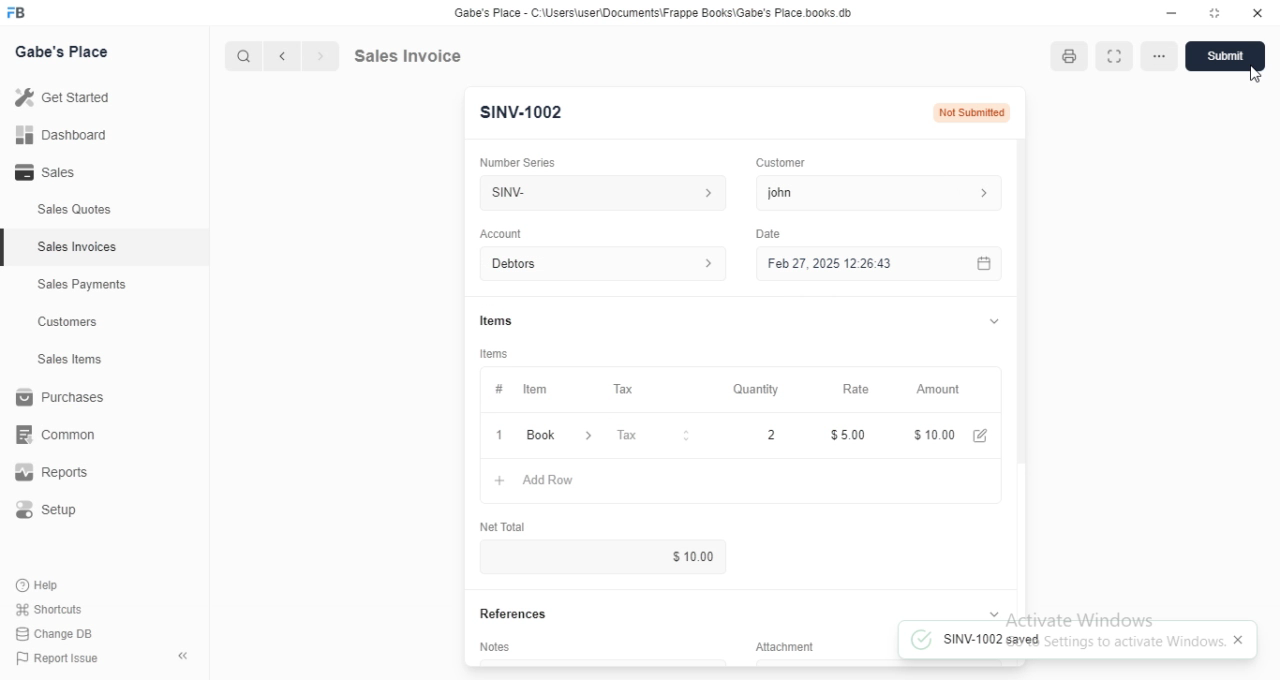 The image size is (1280, 680). I want to click on SINV-1002, so click(523, 113).